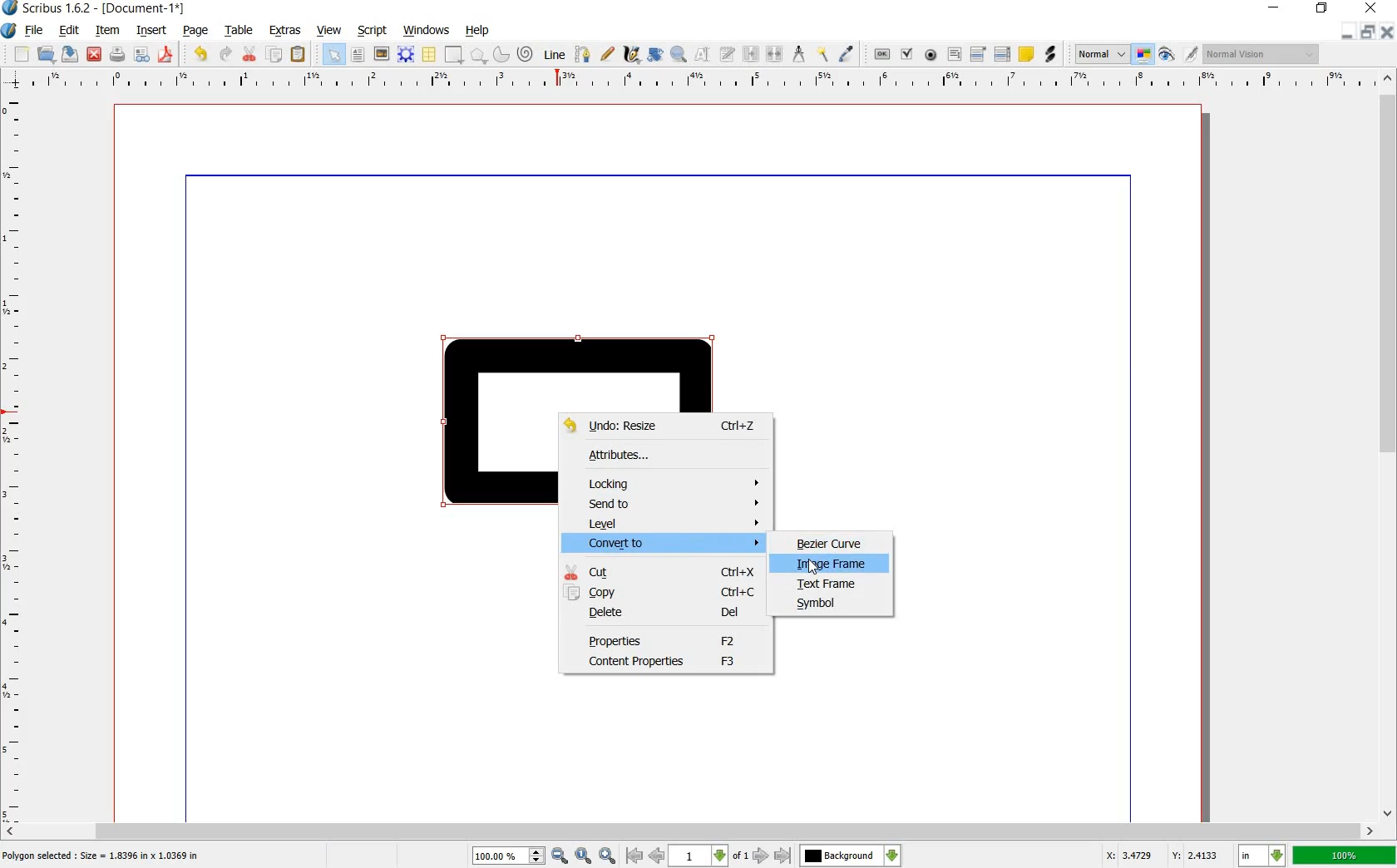 This screenshot has height=868, width=1397. I want to click on view, so click(329, 32).